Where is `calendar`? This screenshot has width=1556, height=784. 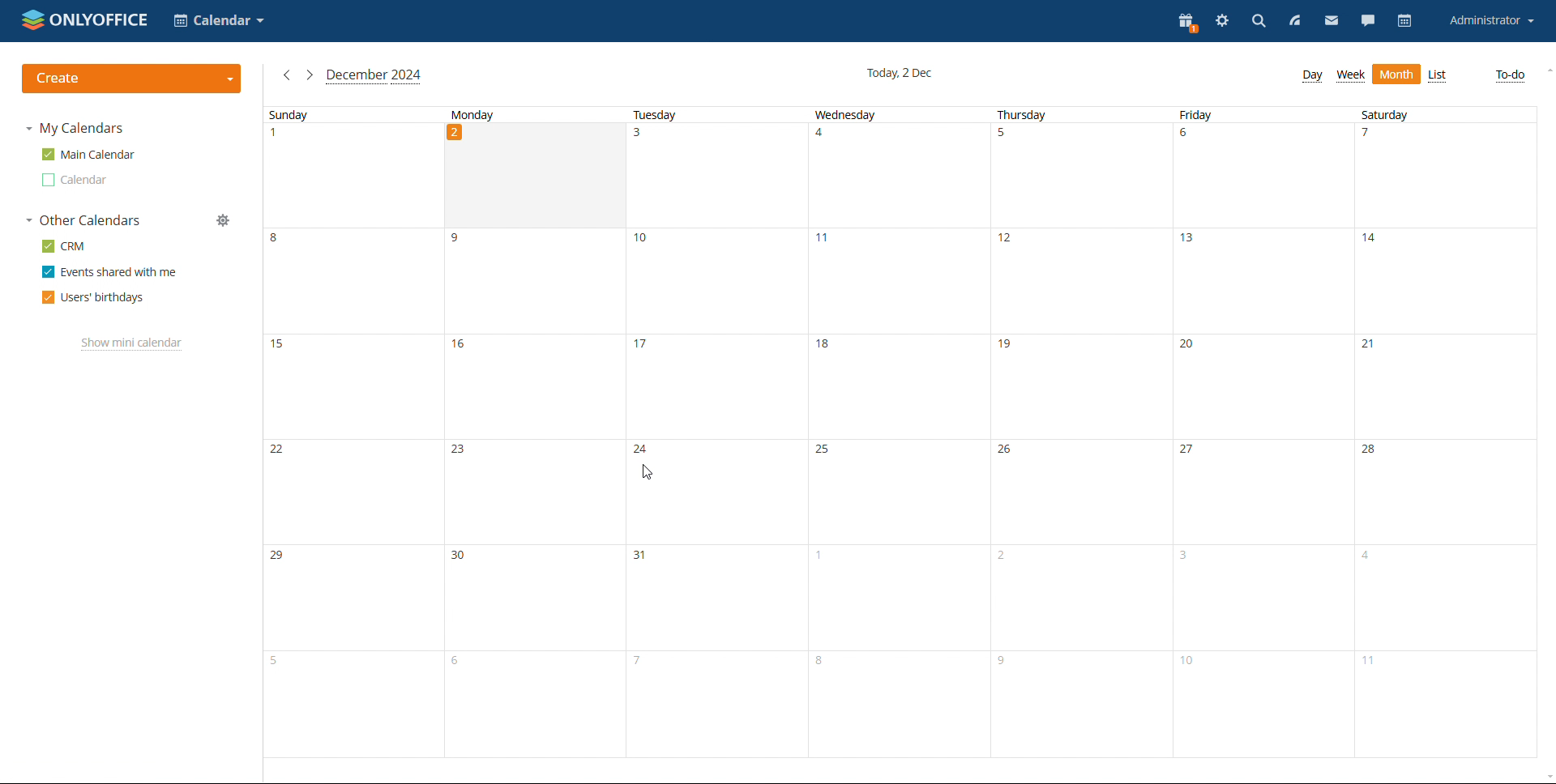 calendar is located at coordinates (1405, 22).